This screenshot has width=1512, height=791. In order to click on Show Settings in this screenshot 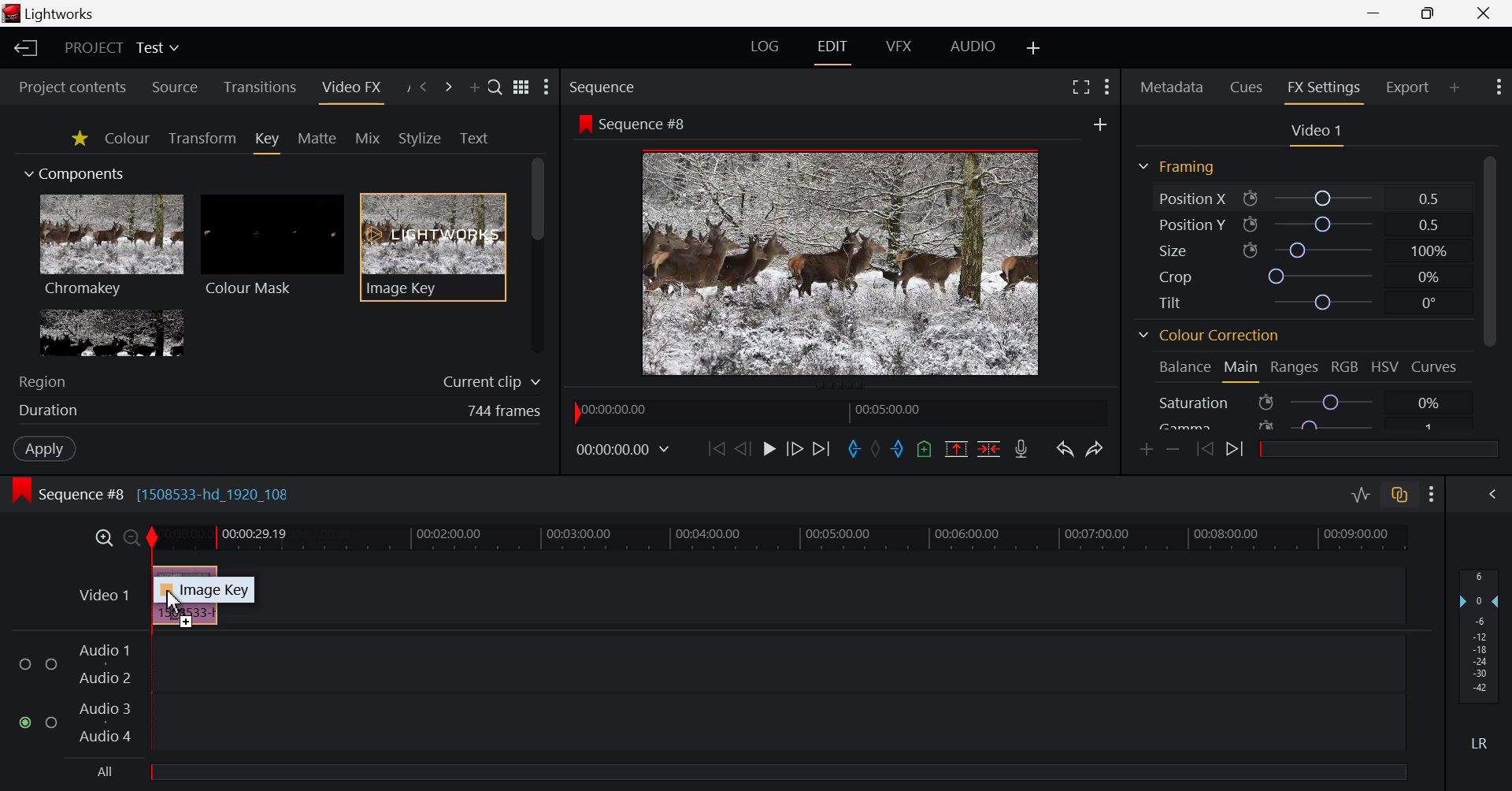, I will do `click(1429, 493)`.